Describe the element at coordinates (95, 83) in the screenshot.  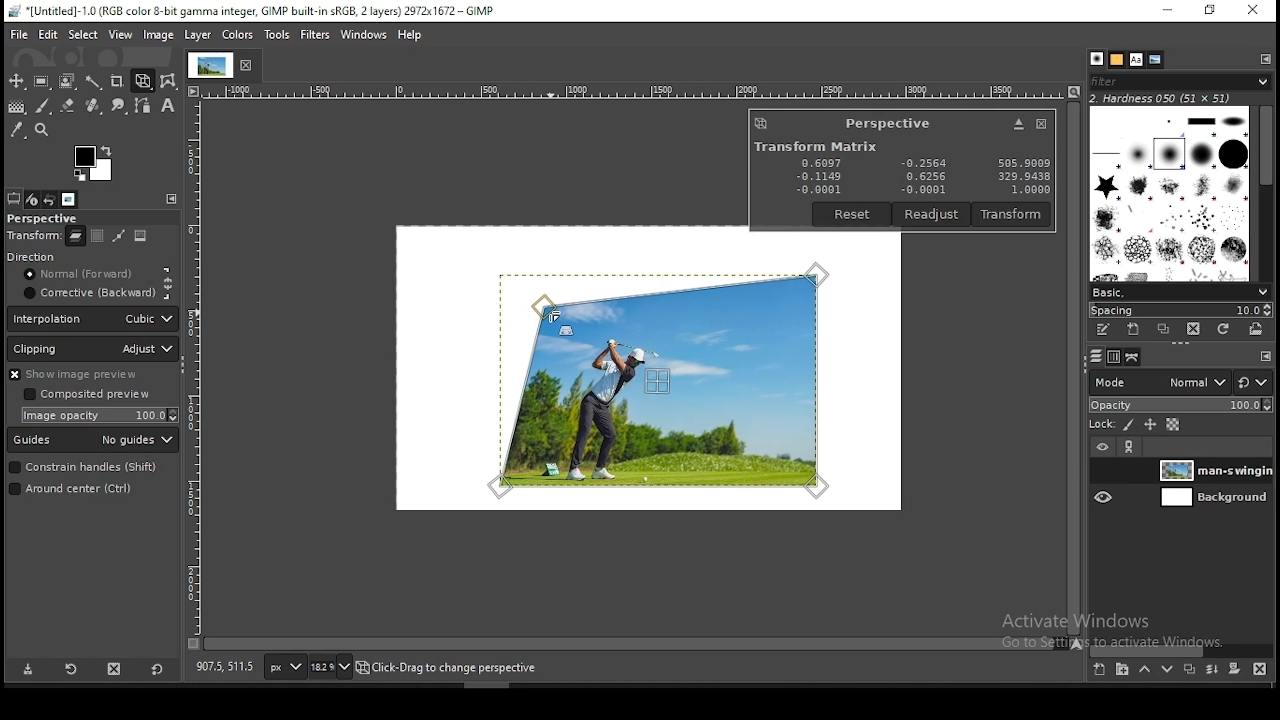
I see `fuzzy select tool` at that location.